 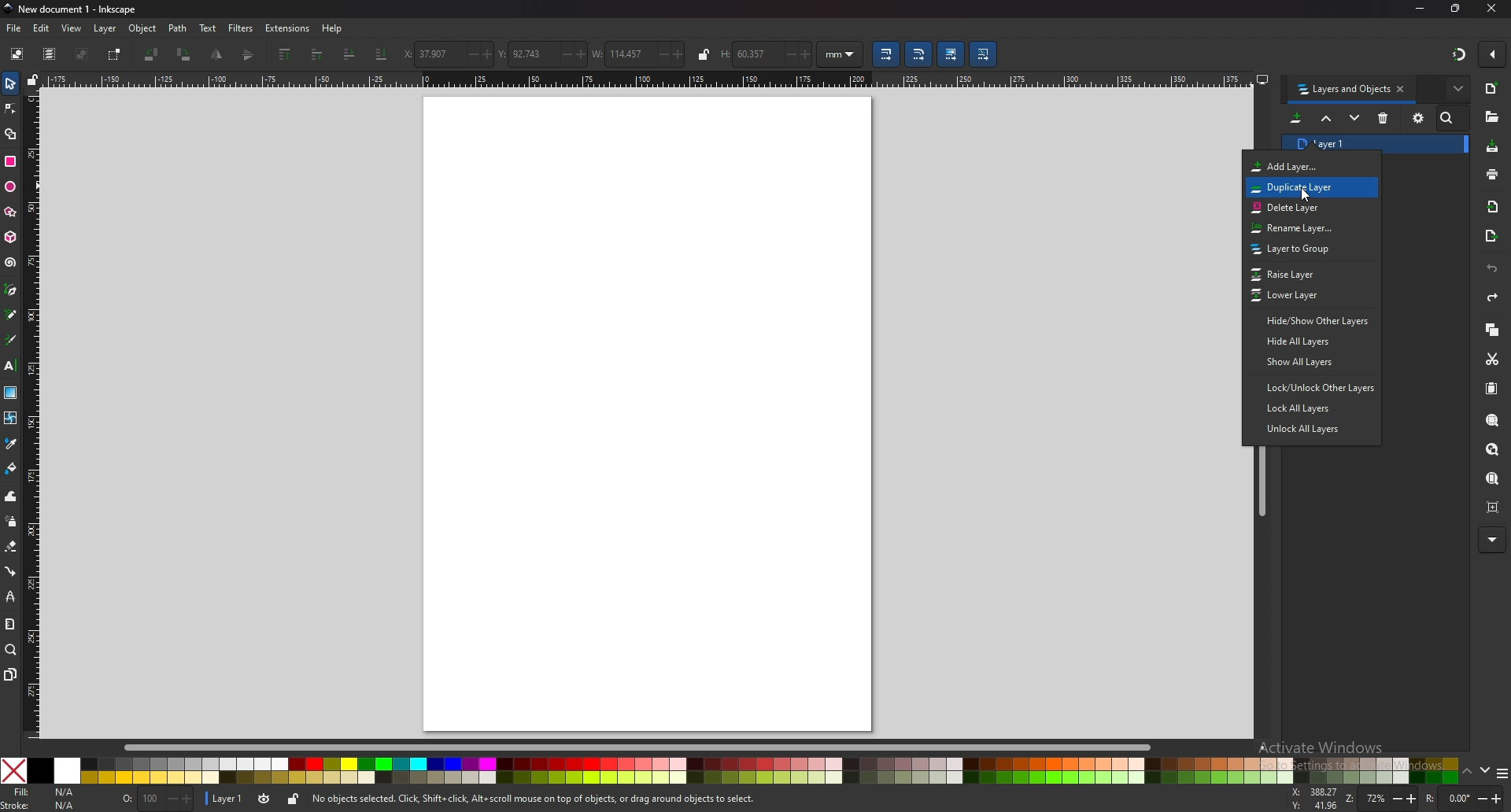 What do you see at coordinates (1491, 117) in the screenshot?
I see `open` at bounding box center [1491, 117].